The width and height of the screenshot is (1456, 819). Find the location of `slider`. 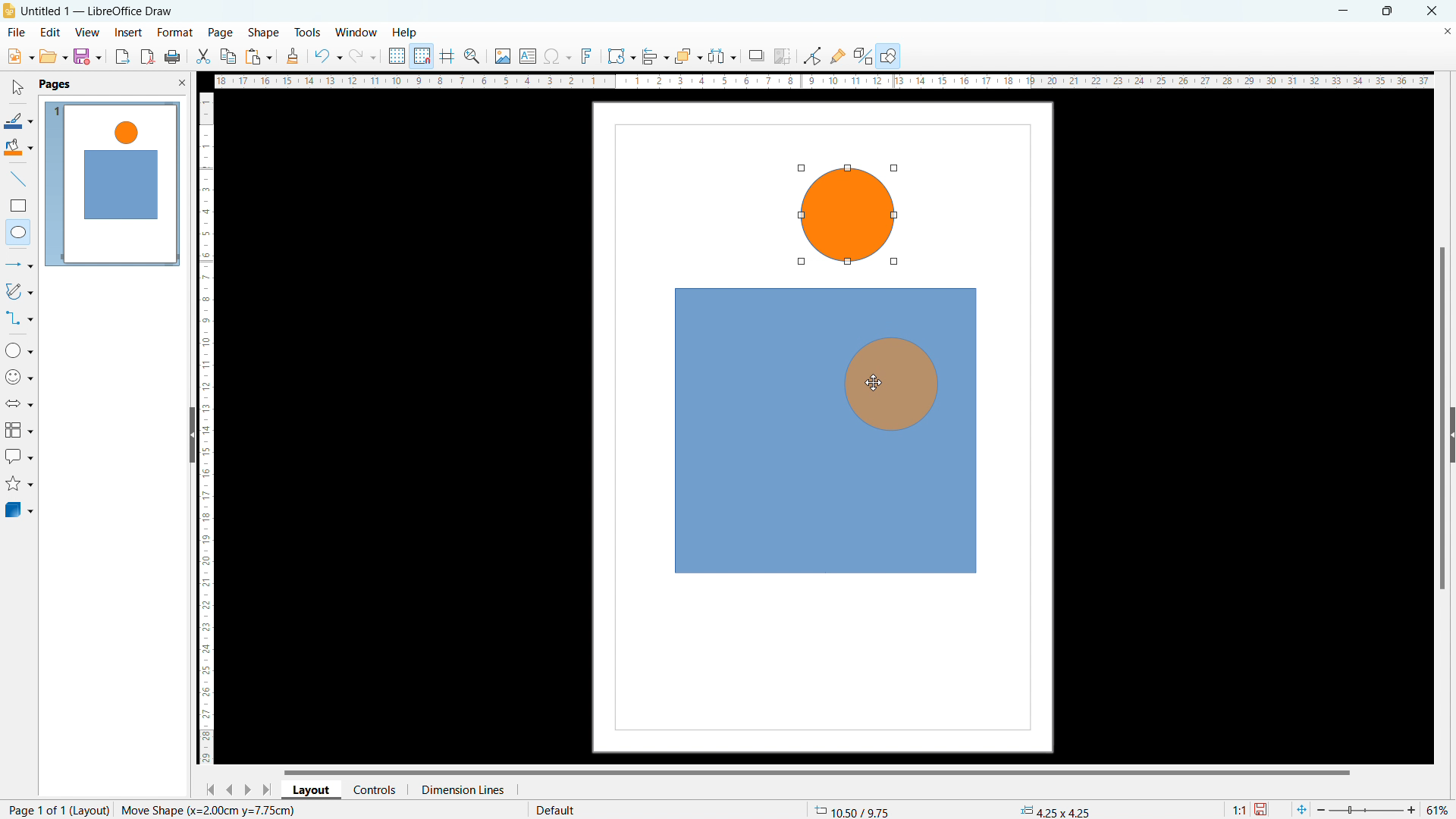

slider is located at coordinates (1365, 810).